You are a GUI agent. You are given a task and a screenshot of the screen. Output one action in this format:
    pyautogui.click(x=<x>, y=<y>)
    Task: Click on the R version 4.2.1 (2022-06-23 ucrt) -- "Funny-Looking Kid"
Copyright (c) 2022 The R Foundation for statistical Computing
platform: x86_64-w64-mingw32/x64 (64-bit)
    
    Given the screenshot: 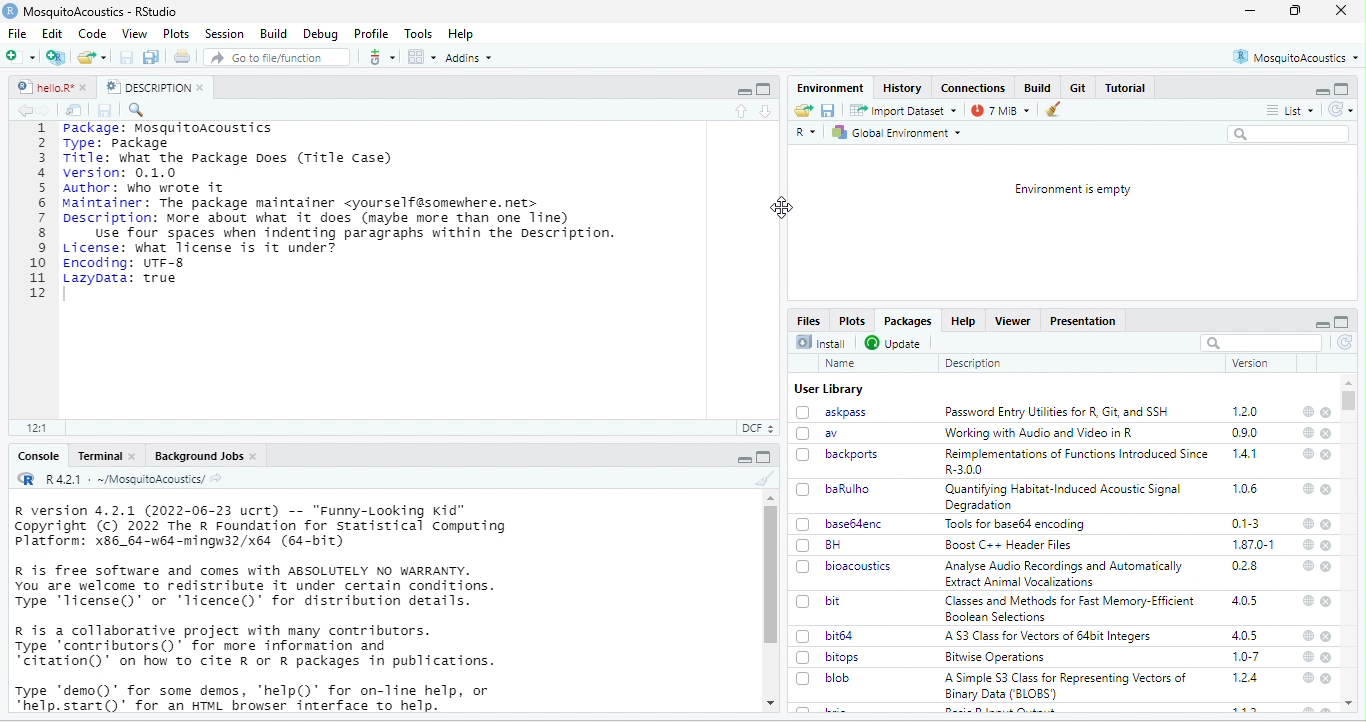 What is the action you would take?
    pyautogui.click(x=261, y=527)
    